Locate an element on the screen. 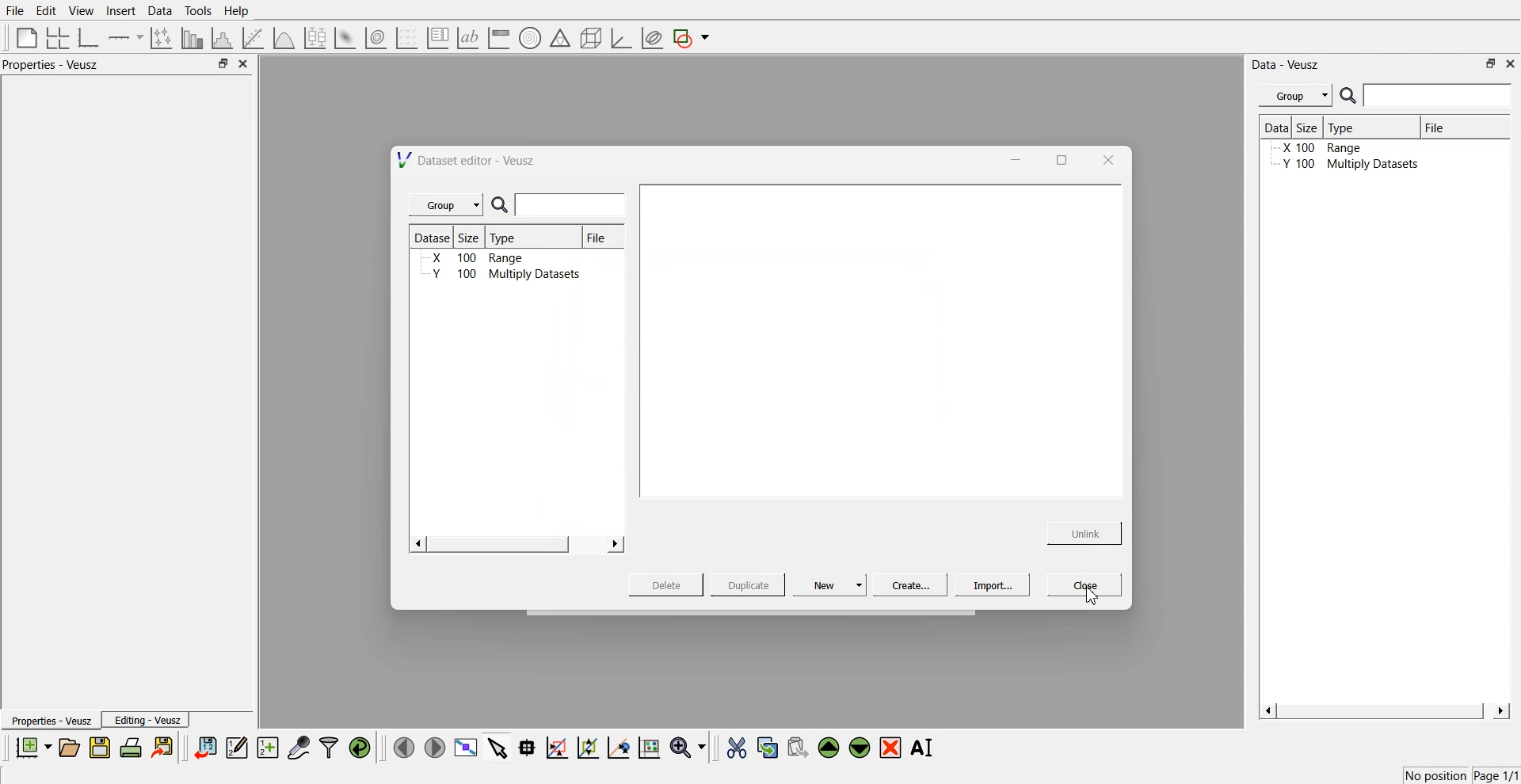 The image size is (1521, 784). import data sets is located at coordinates (204, 748).